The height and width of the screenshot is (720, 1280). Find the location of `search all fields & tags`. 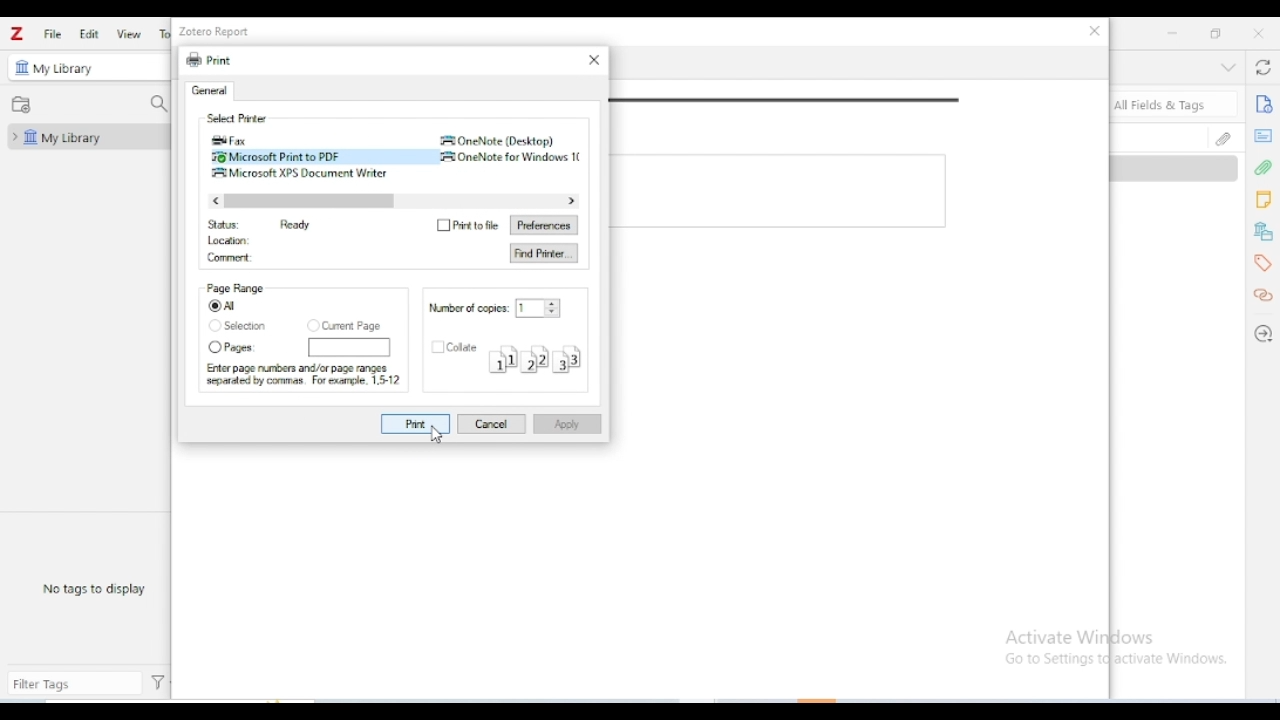

search all fields & tags is located at coordinates (1175, 104).